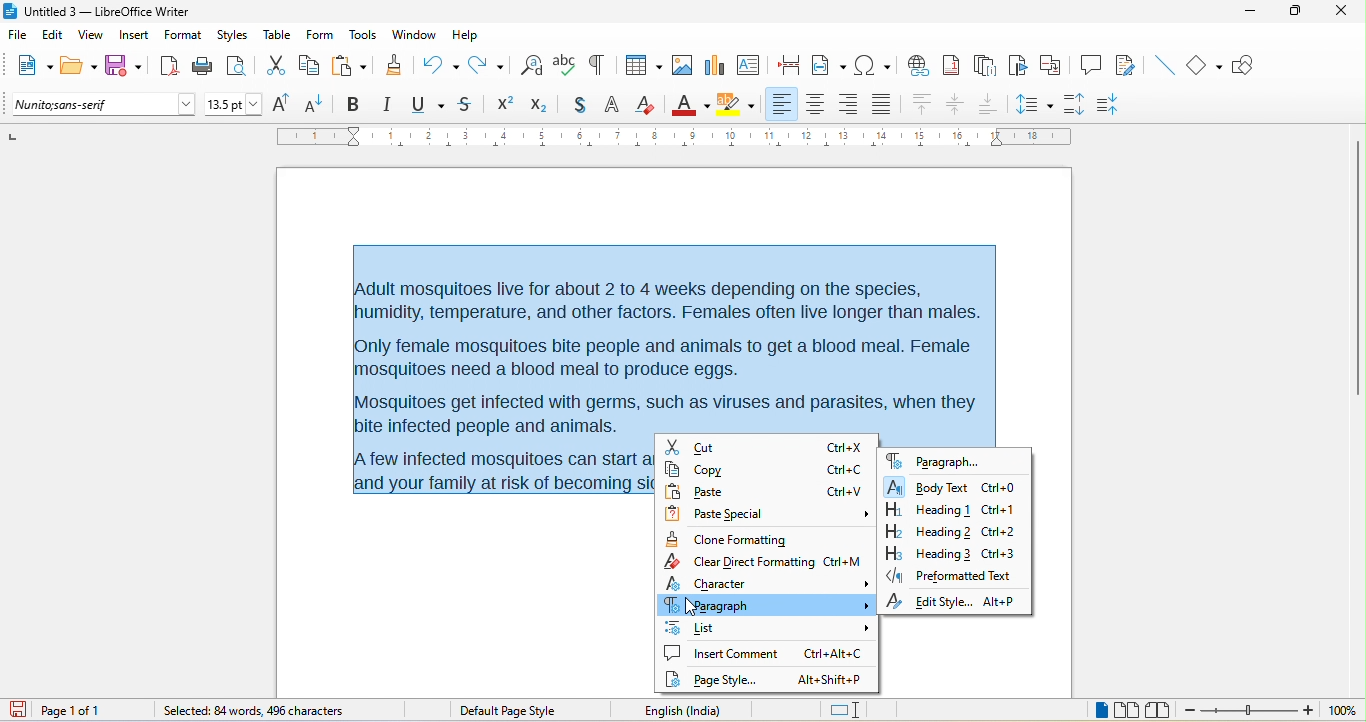  What do you see at coordinates (640, 67) in the screenshot?
I see `table` at bounding box center [640, 67].